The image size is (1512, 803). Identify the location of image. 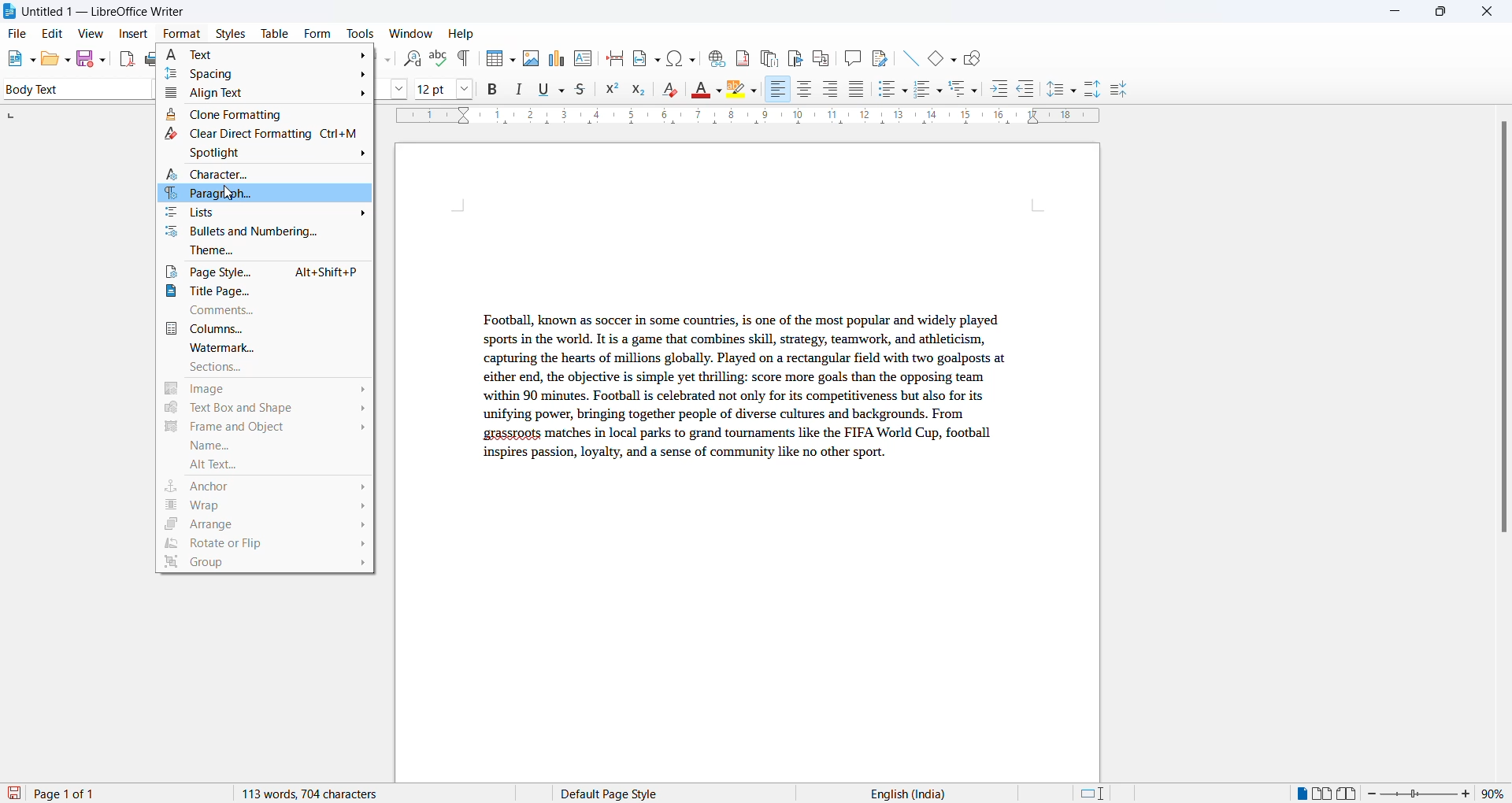
(266, 390).